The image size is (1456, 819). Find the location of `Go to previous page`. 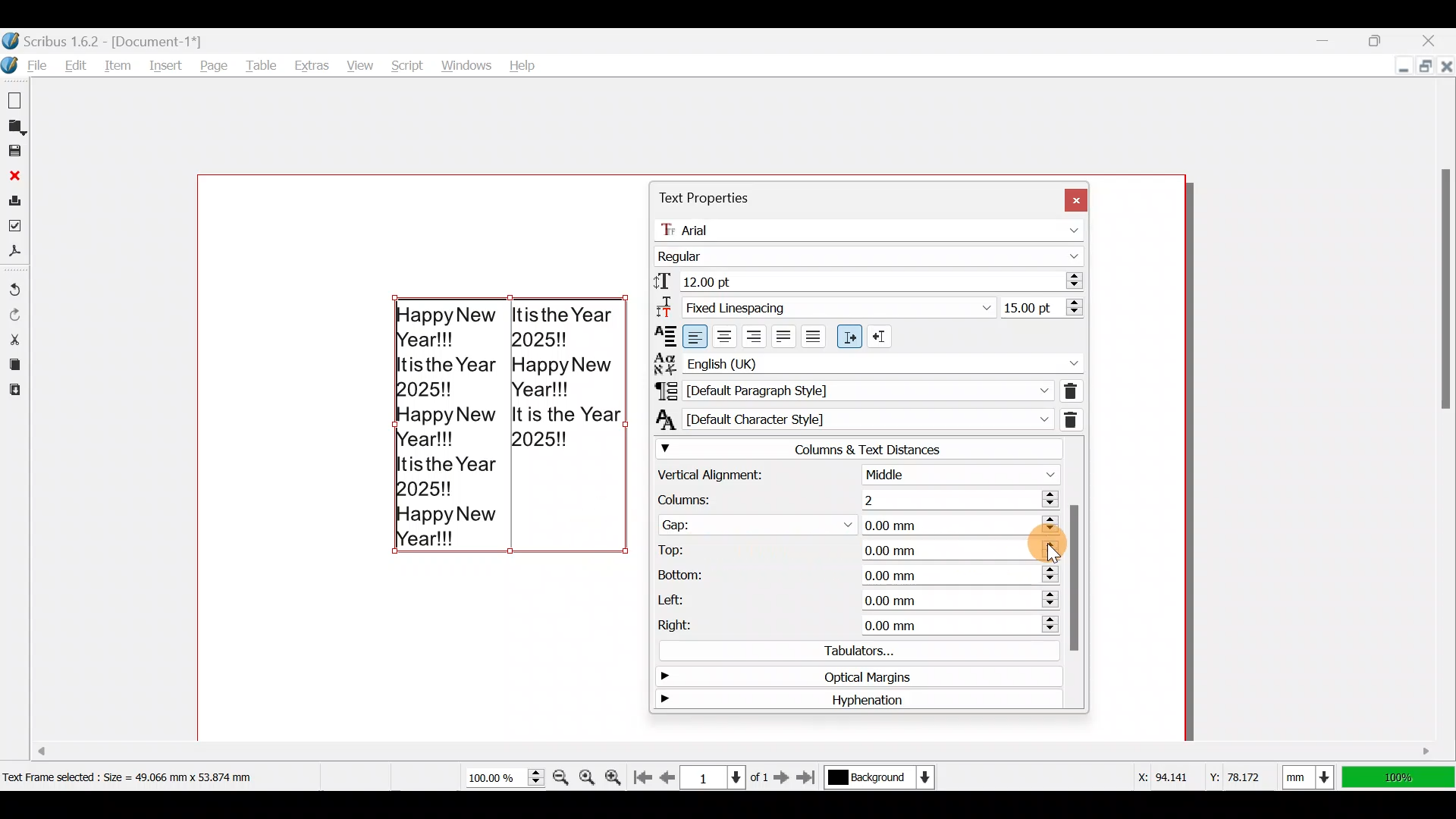

Go to previous page is located at coordinates (668, 774).